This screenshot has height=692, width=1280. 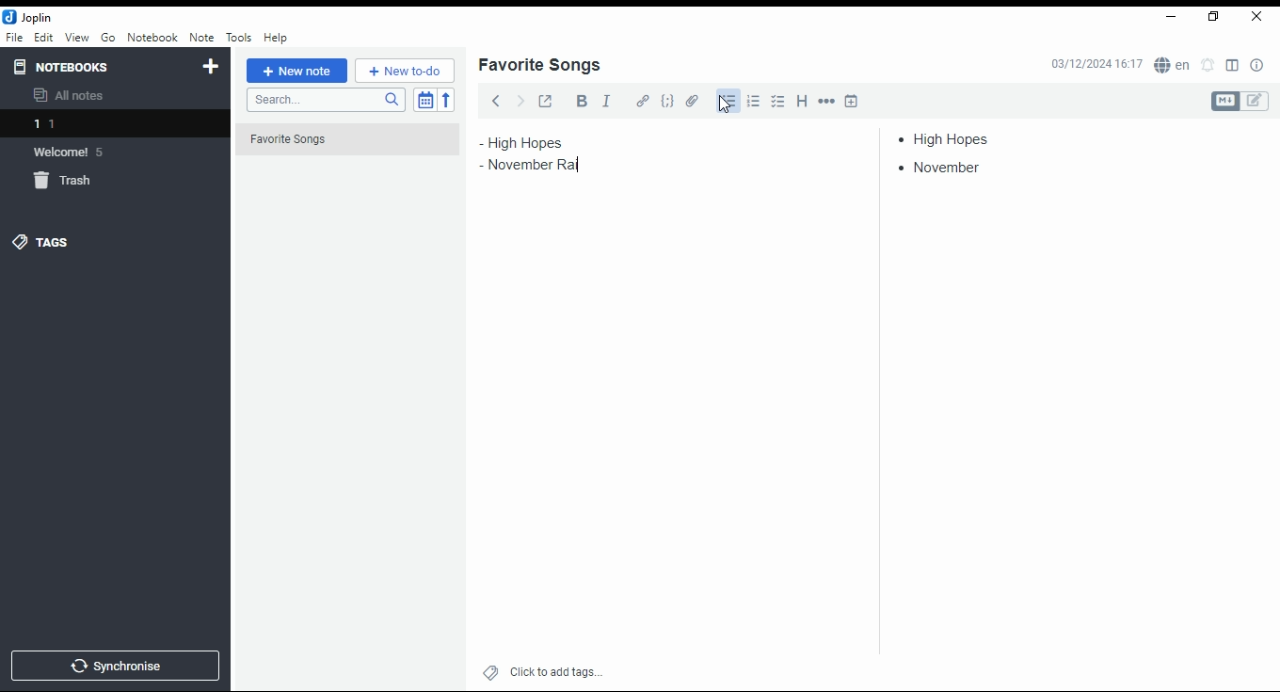 What do you see at coordinates (852, 100) in the screenshot?
I see `insert time` at bounding box center [852, 100].